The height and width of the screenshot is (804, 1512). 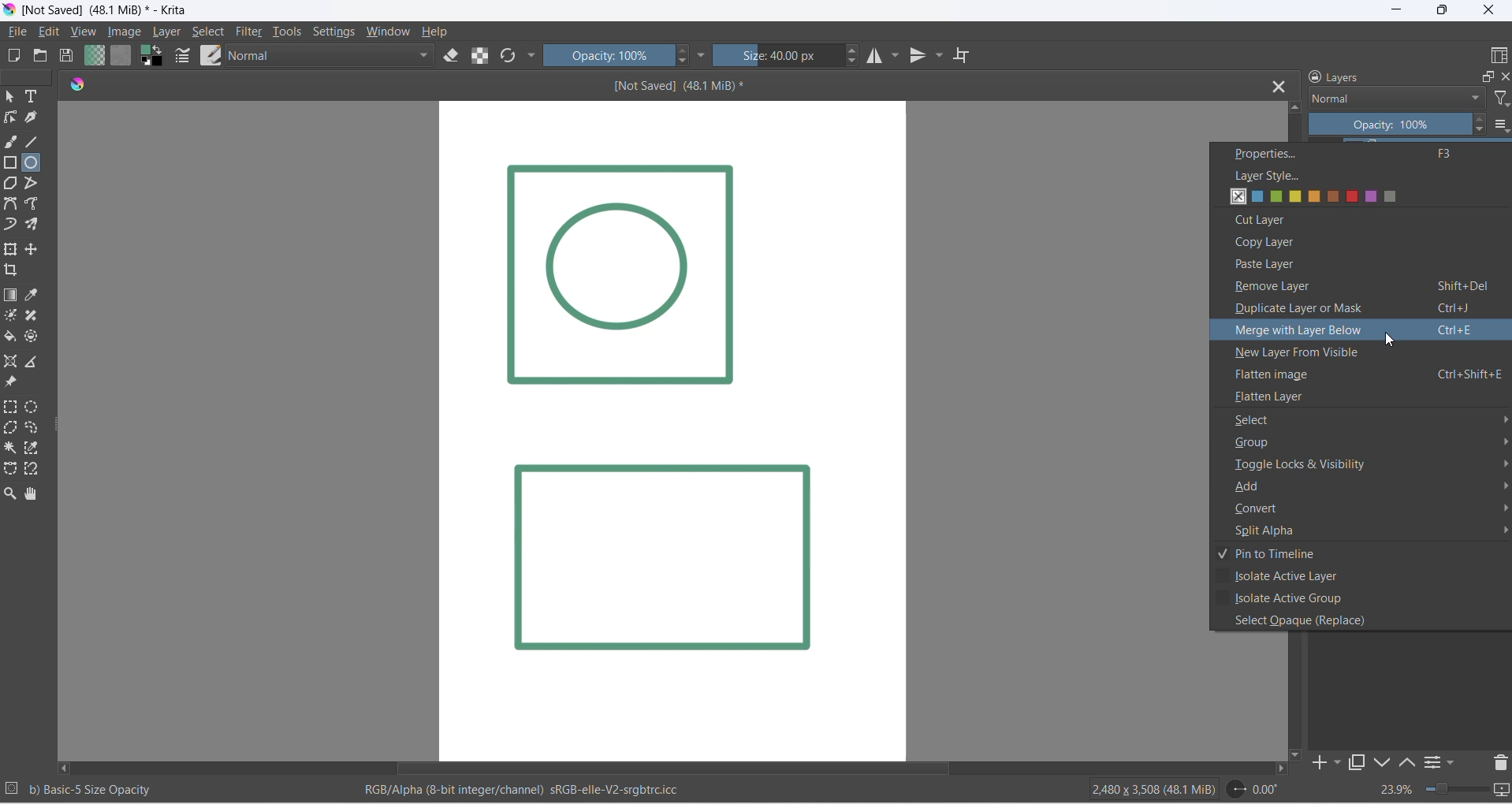 What do you see at coordinates (58, 434) in the screenshot?
I see `resize` at bounding box center [58, 434].